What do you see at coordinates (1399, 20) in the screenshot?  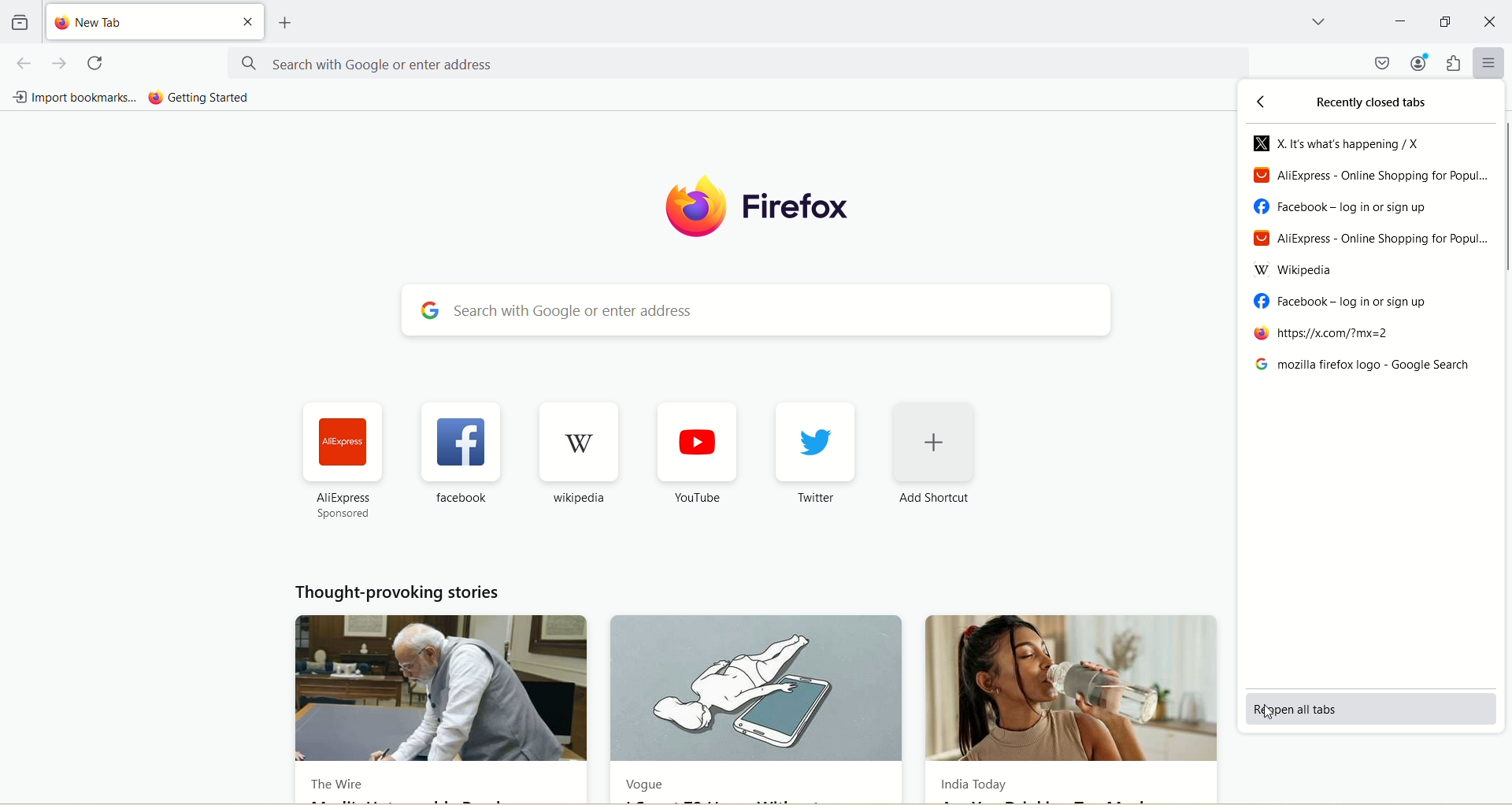 I see `minimize` at bounding box center [1399, 20].